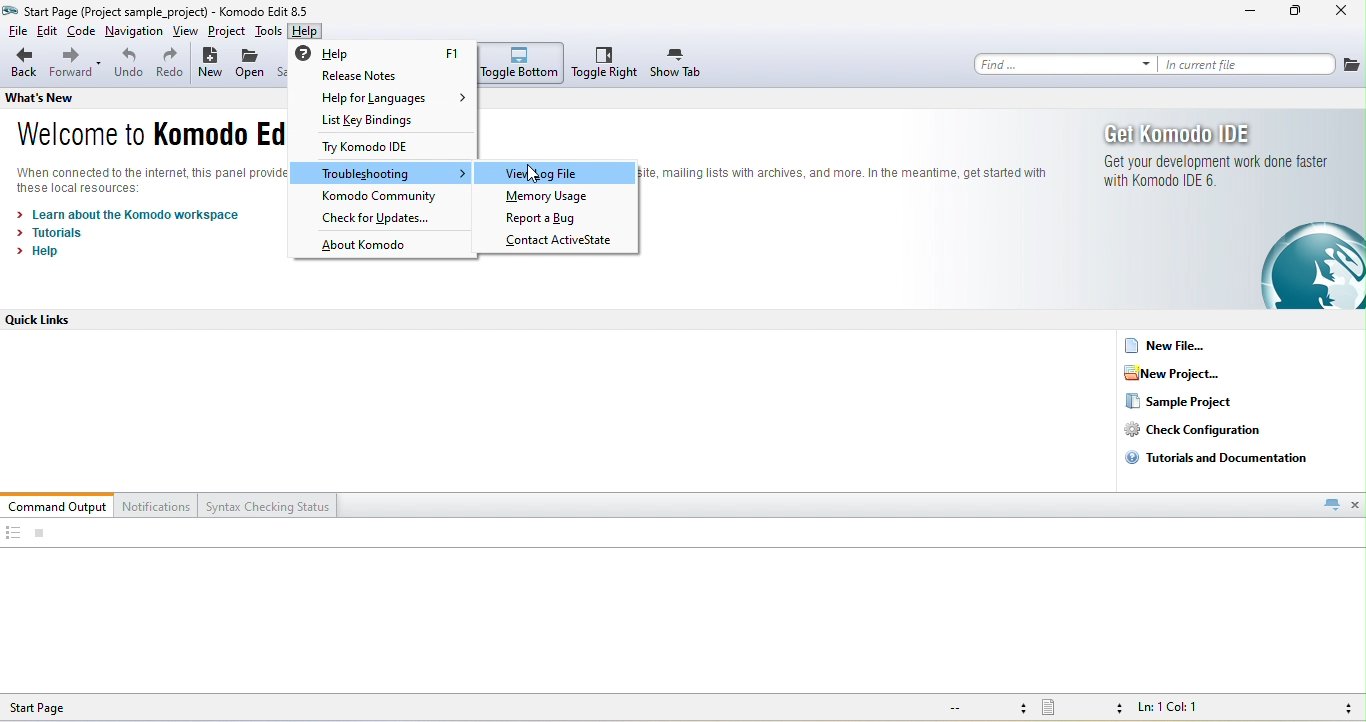 Image resolution: width=1366 pixels, height=722 pixels. I want to click on tutorials and documentation, so click(1222, 457).